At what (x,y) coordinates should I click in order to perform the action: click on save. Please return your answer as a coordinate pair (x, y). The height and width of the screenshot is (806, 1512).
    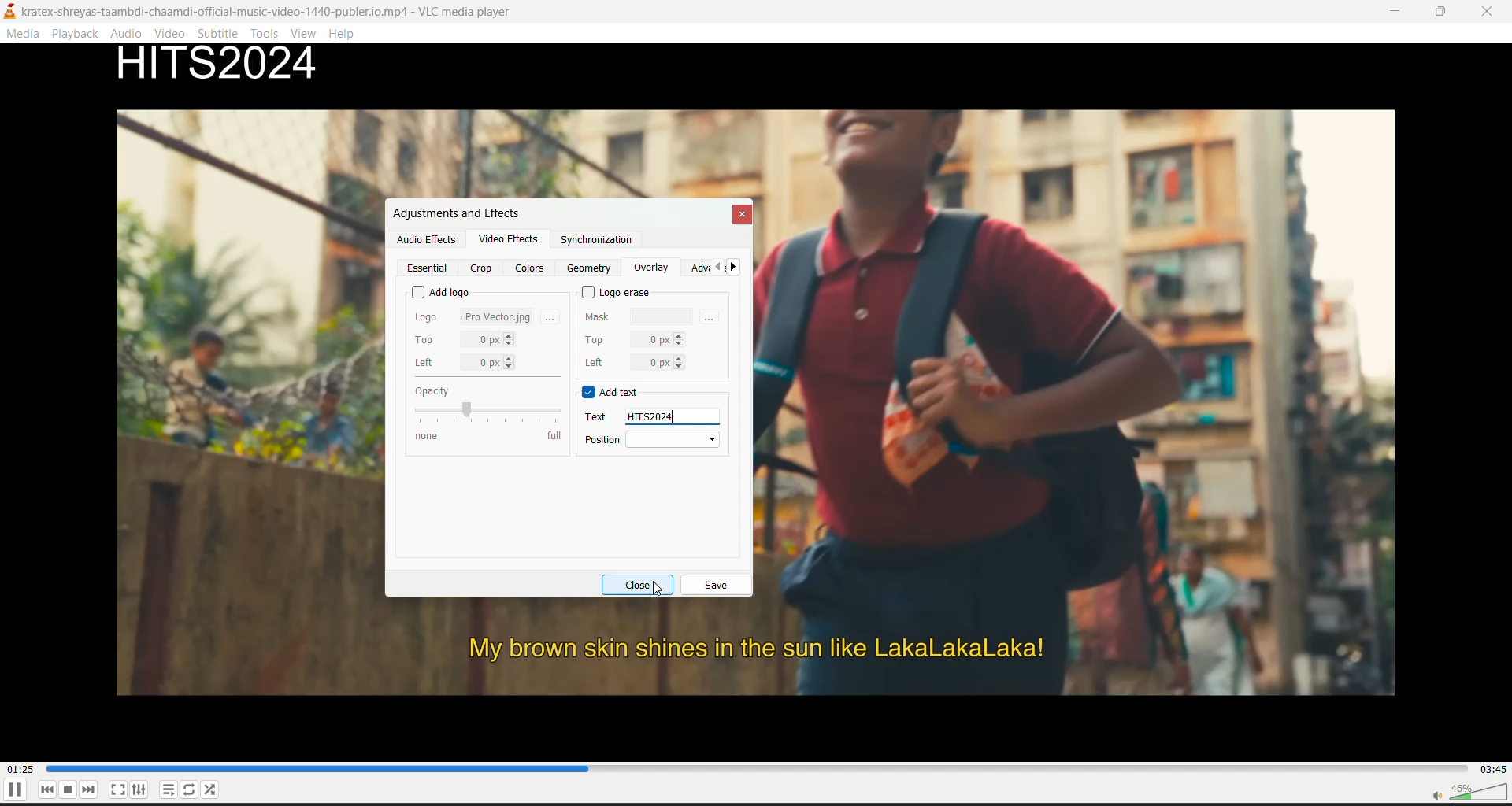
    Looking at the image, I should click on (716, 586).